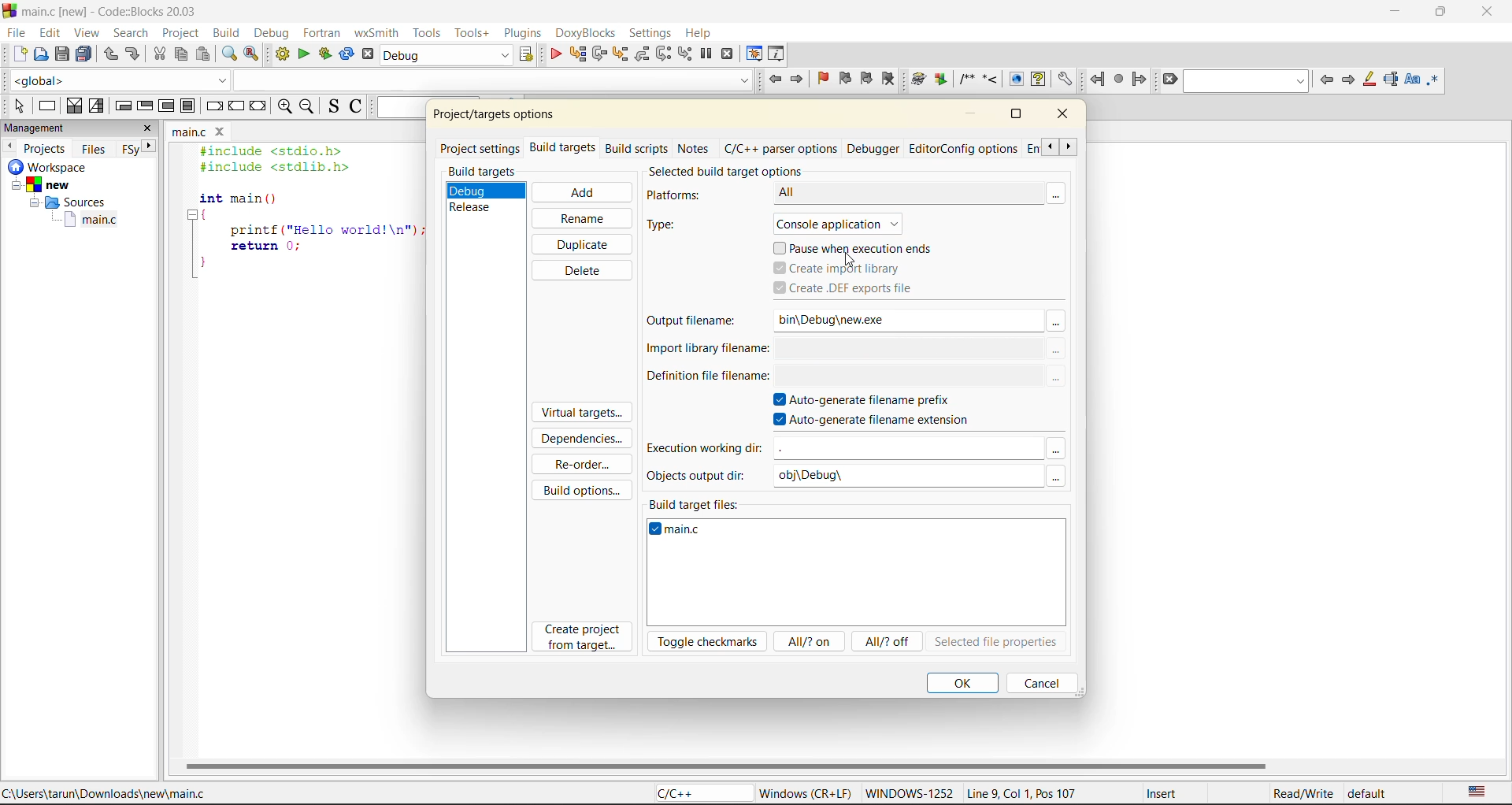 The width and height of the screenshot is (1512, 805). What do you see at coordinates (85, 33) in the screenshot?
I see `view` at bounding box center [85, 33].